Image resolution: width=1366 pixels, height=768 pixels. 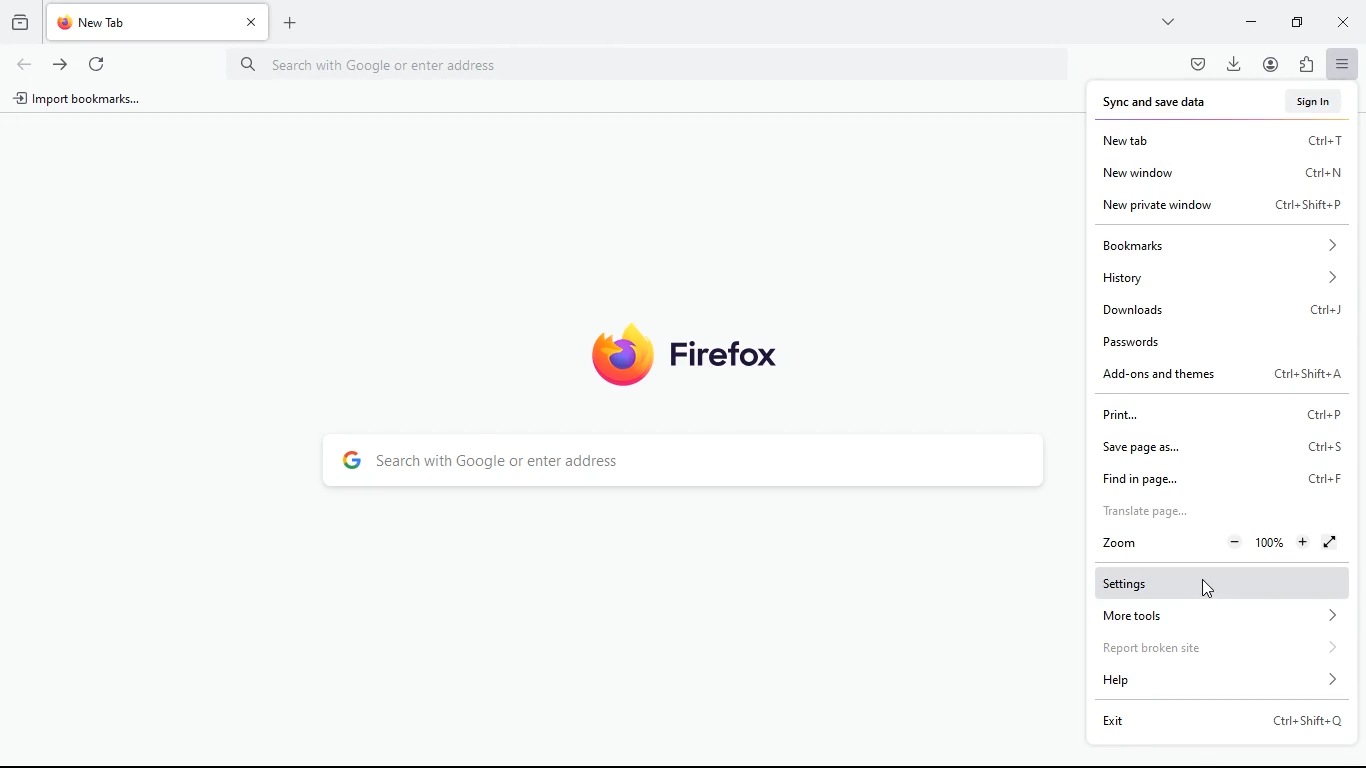 I want to click on finish setup, so click(x=1308, y=102).